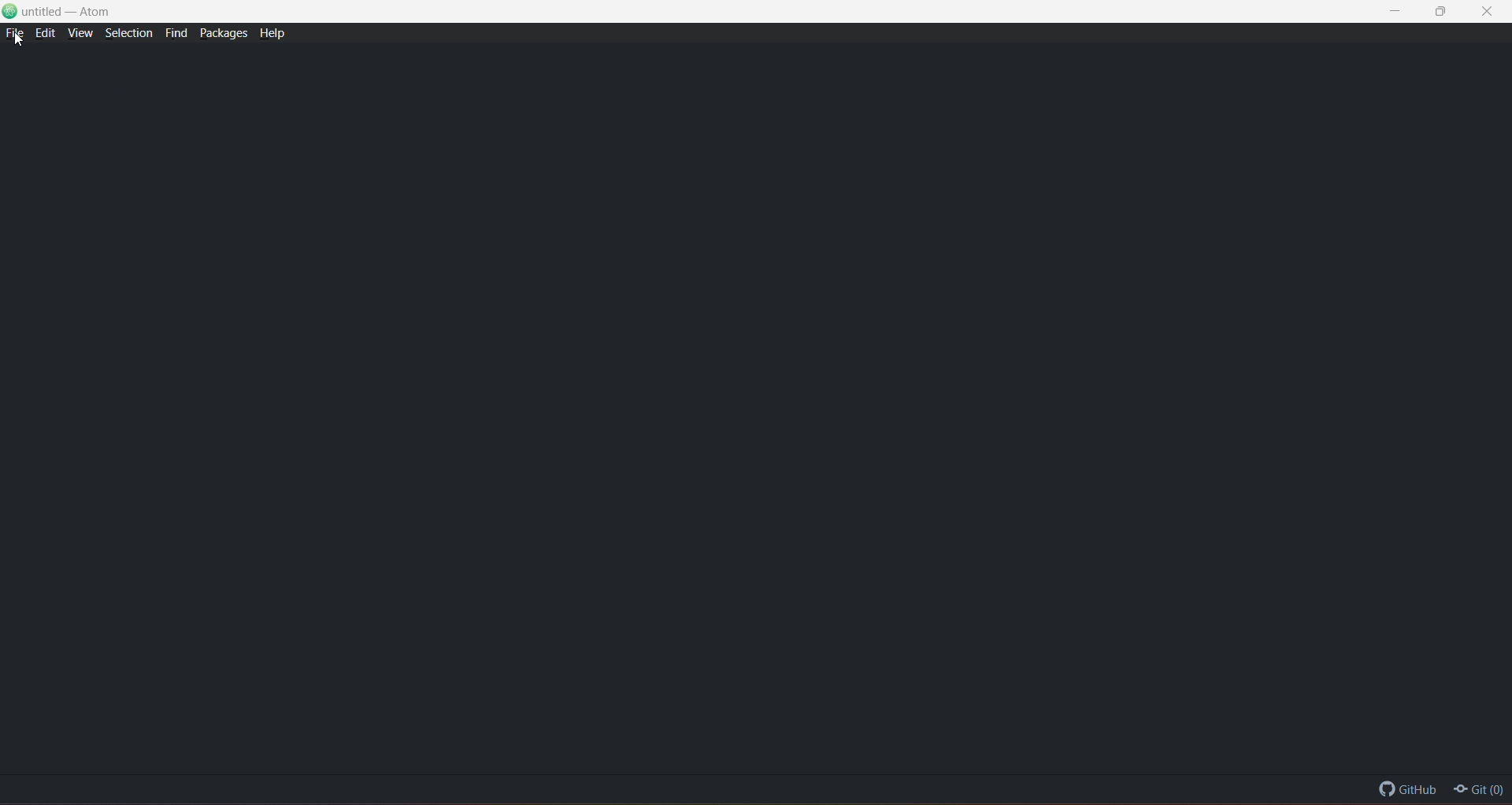 The height and width of the screenshot is (805, 1512). I want to click on cursor, so click(17, 44).